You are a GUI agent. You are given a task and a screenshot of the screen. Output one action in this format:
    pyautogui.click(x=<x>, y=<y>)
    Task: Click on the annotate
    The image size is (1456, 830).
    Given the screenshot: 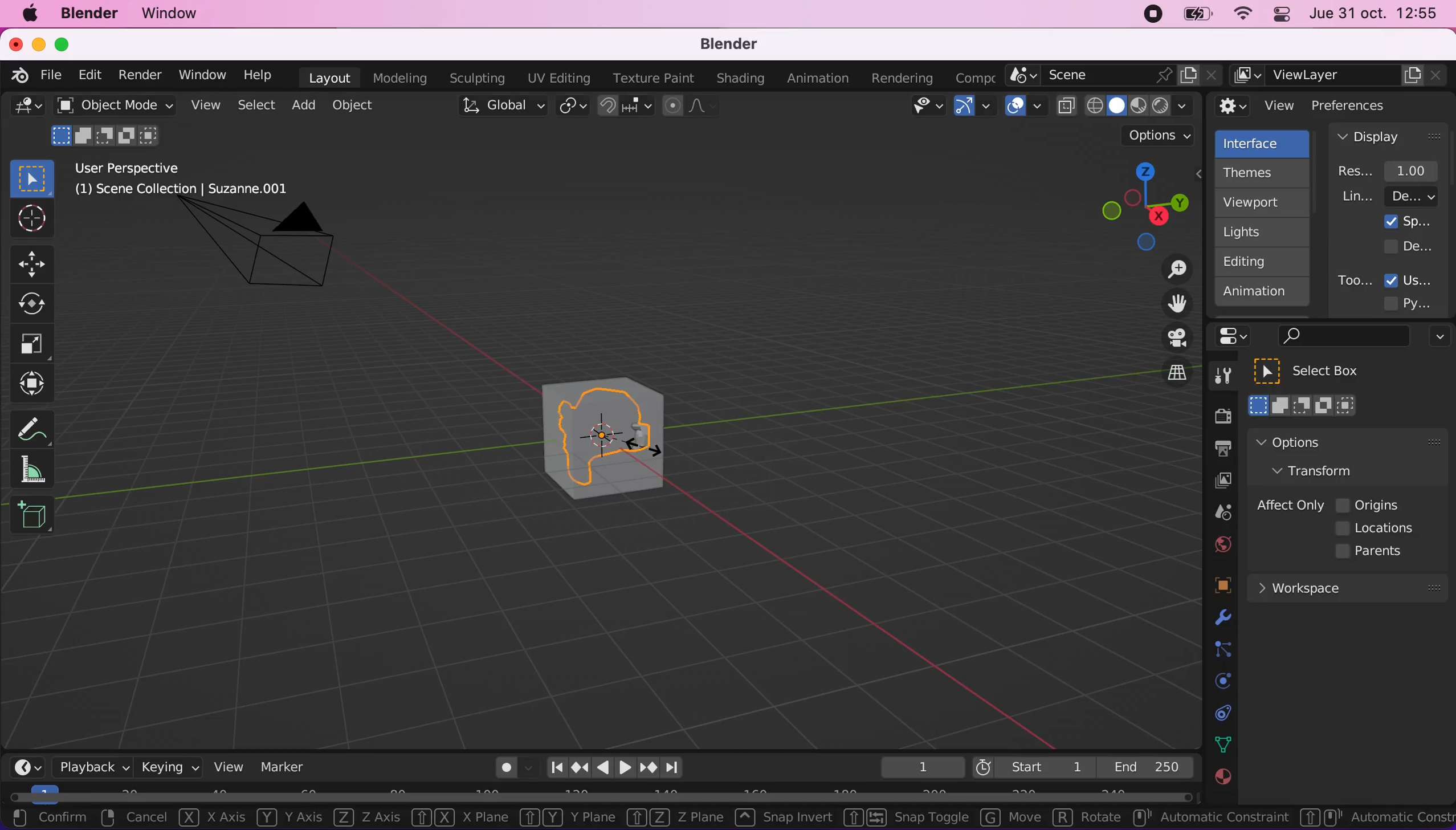 What is the action you would take?
    pyautogui.click(x=37, y=426)
    